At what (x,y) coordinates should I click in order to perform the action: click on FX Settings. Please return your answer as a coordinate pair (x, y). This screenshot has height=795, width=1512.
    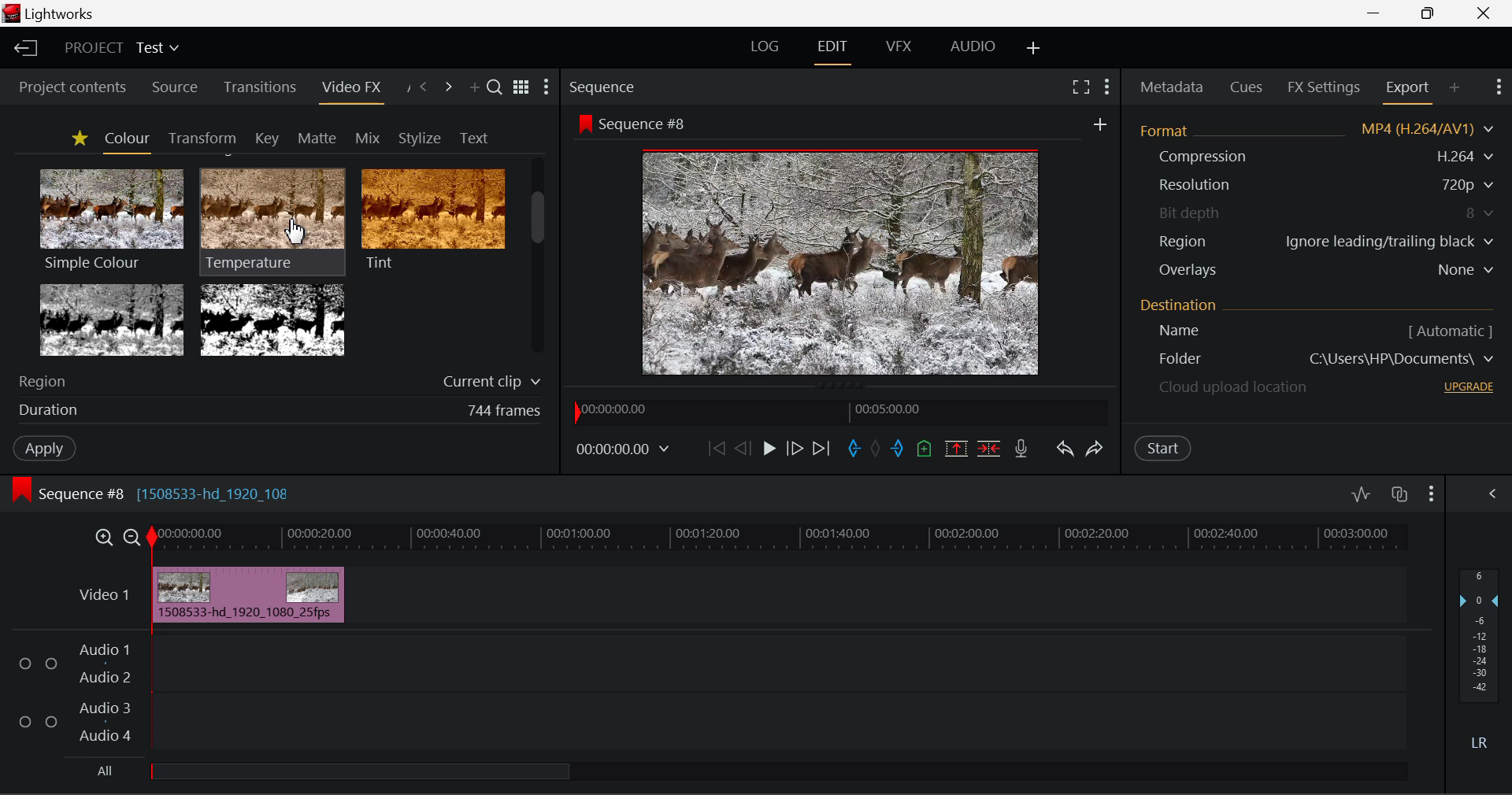
    Looking at the image, I should click on (1324, 87).